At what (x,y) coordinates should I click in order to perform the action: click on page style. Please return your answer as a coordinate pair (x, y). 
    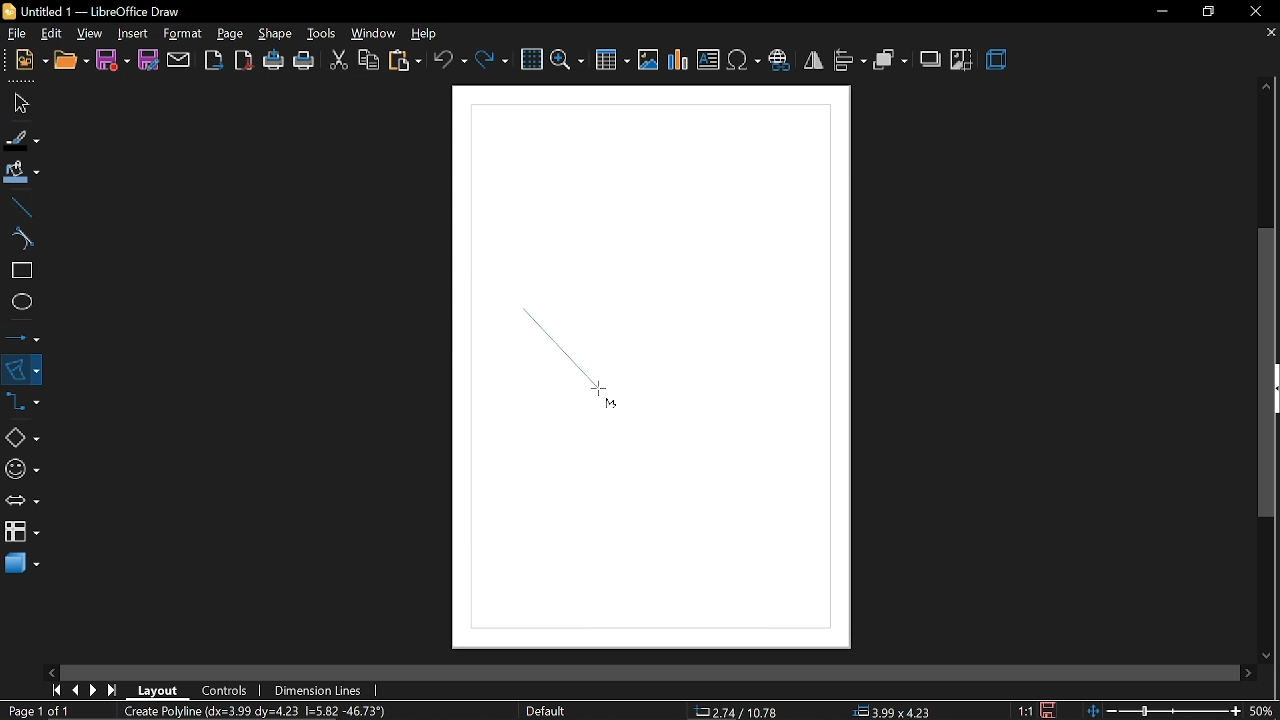
    Looking at the image, I should click on (546, 711).